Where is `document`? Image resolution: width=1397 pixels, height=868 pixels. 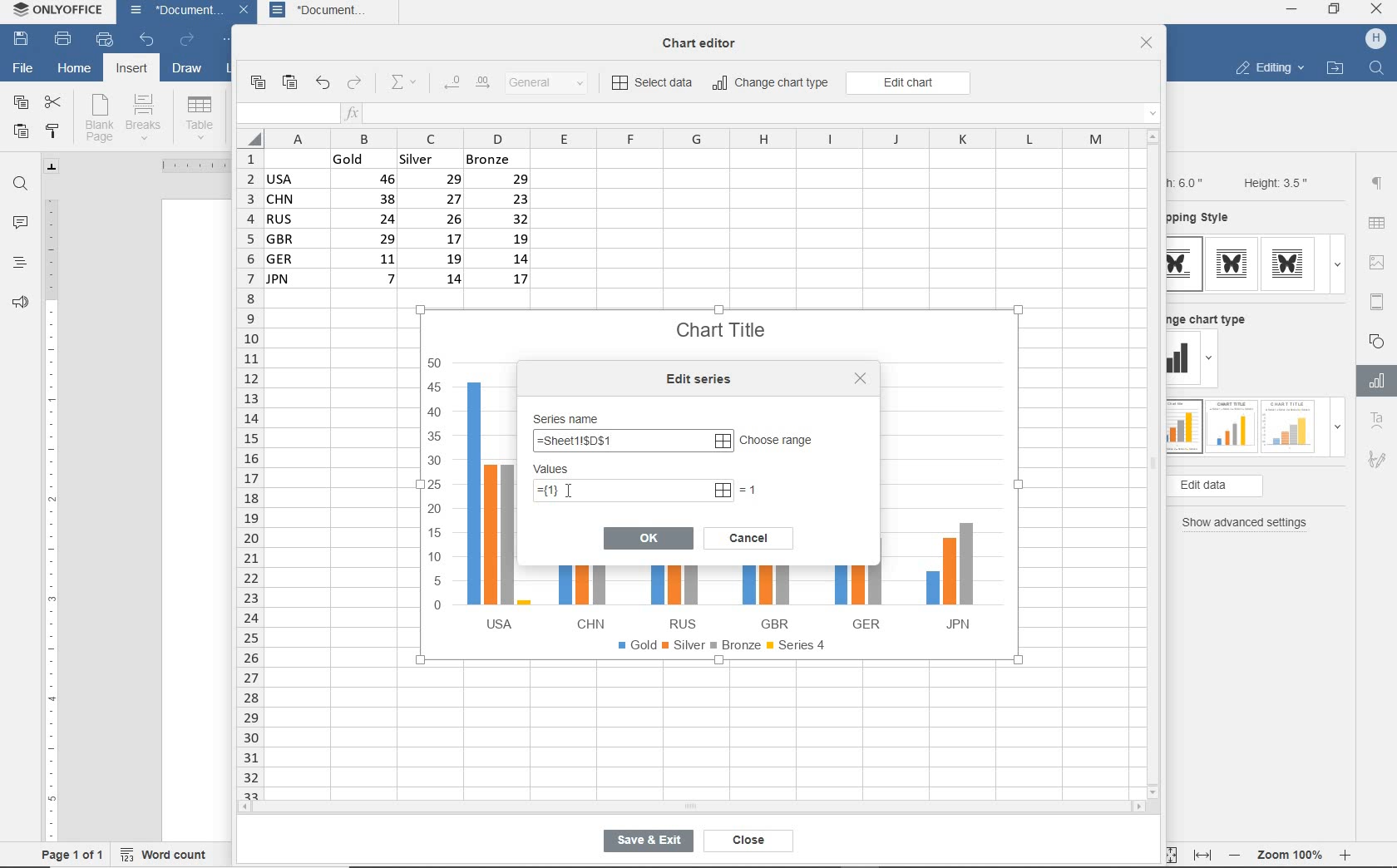
document is located at coordinates (332, 12).